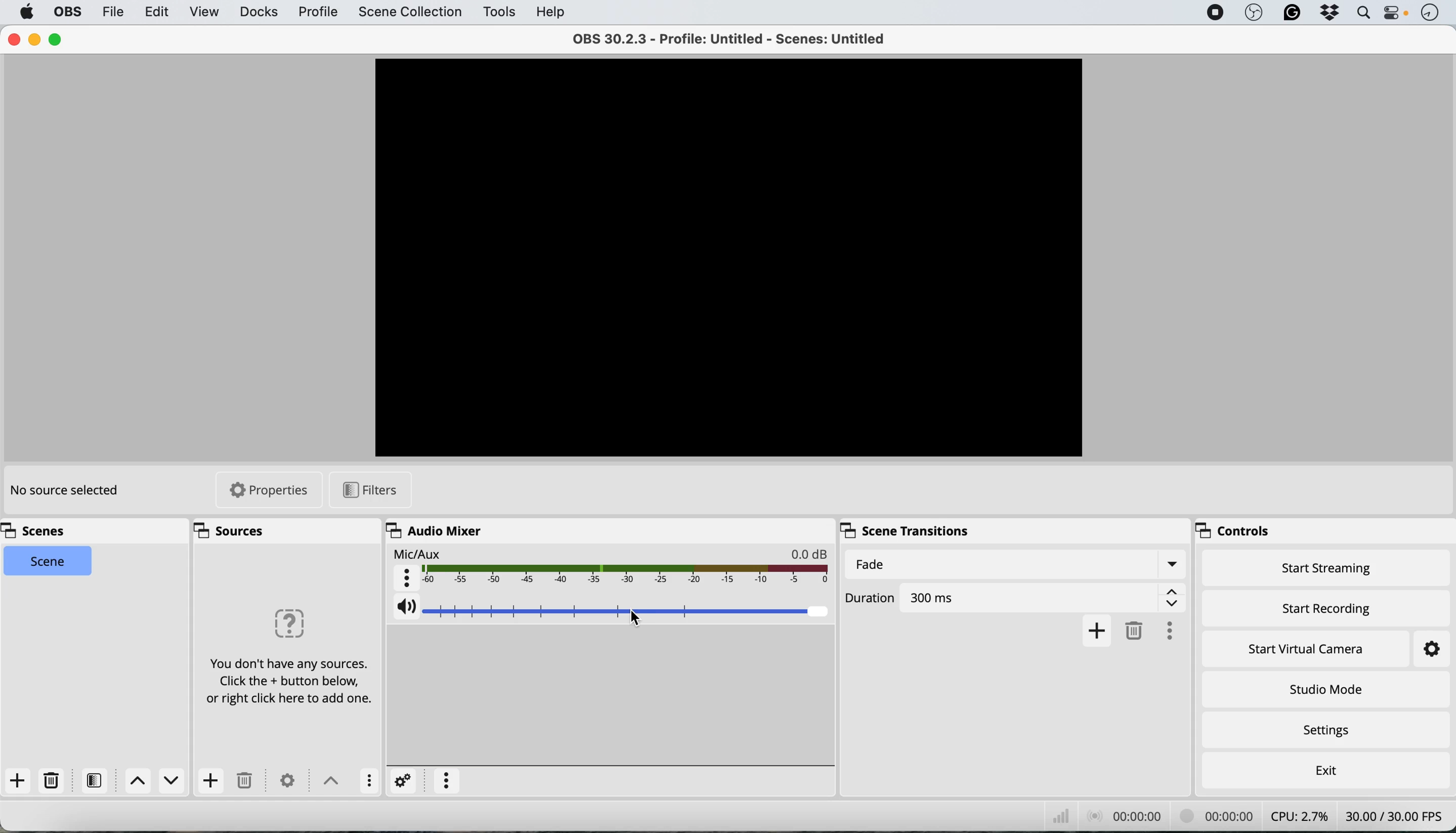 The image size is (1456, 833). I want to click on filters, so click(368, 493).